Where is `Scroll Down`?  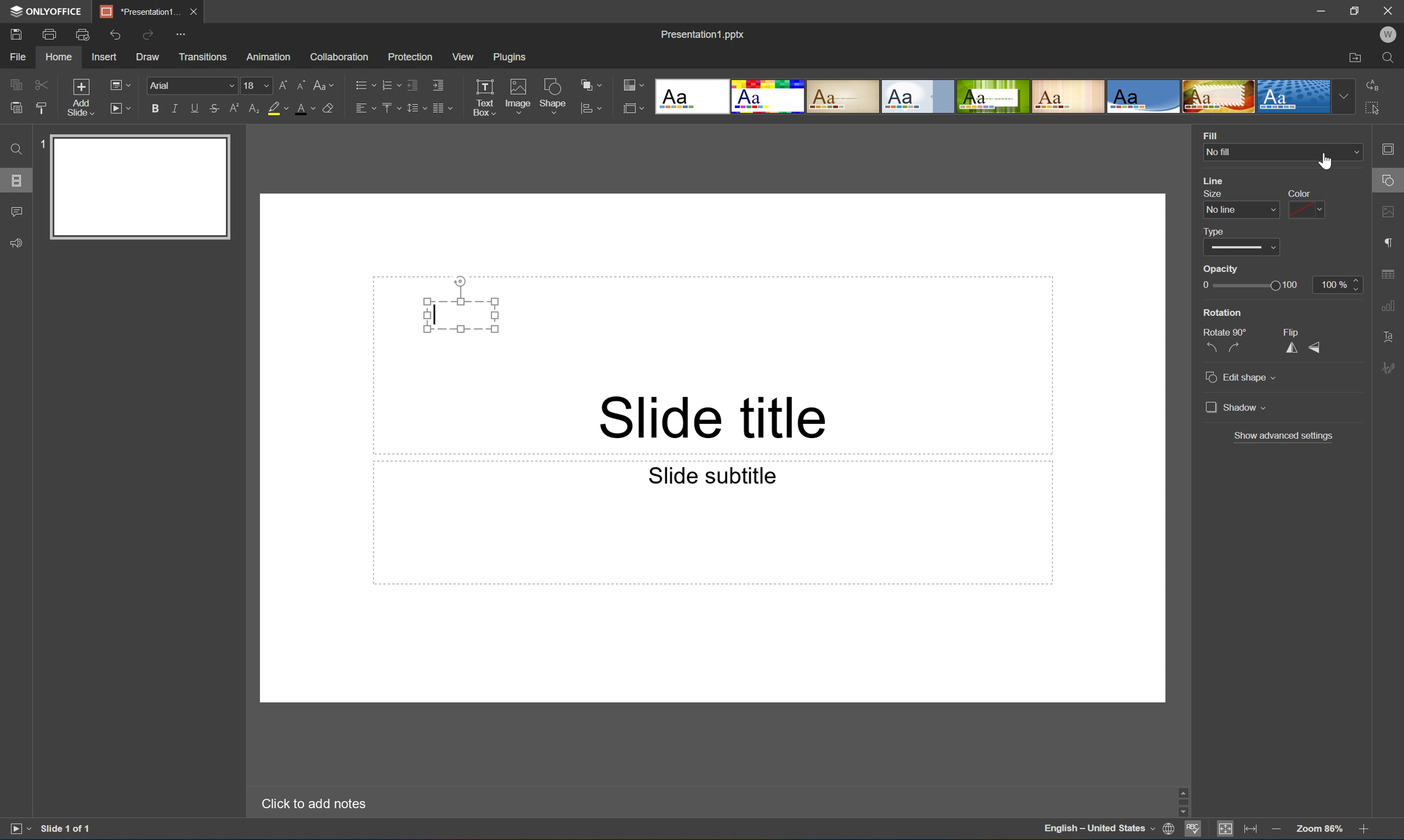
Scroll Down is located at coordinates (1363, 812).